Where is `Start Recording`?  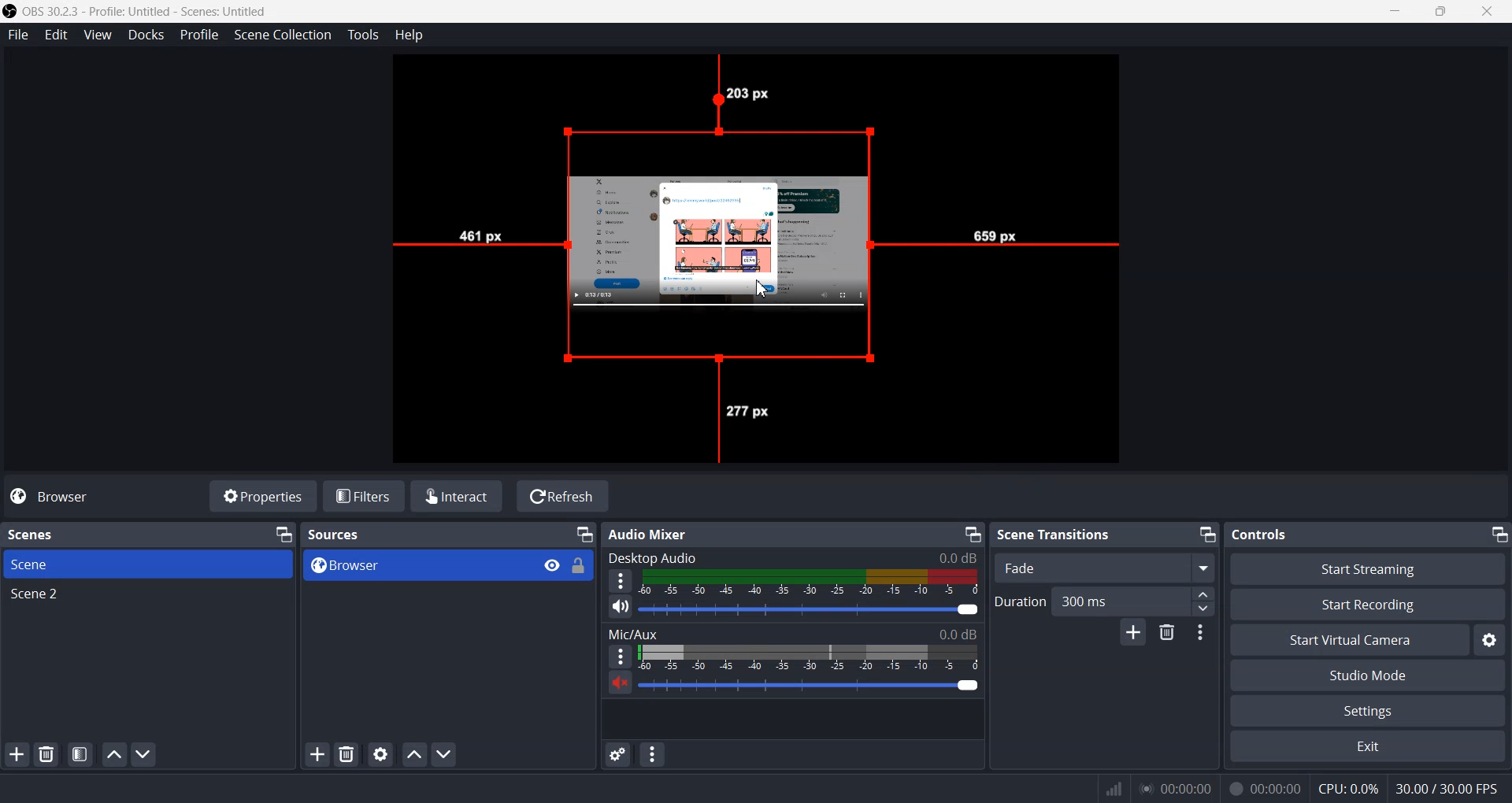
Start Recording is located at coordinates (1369, 604).